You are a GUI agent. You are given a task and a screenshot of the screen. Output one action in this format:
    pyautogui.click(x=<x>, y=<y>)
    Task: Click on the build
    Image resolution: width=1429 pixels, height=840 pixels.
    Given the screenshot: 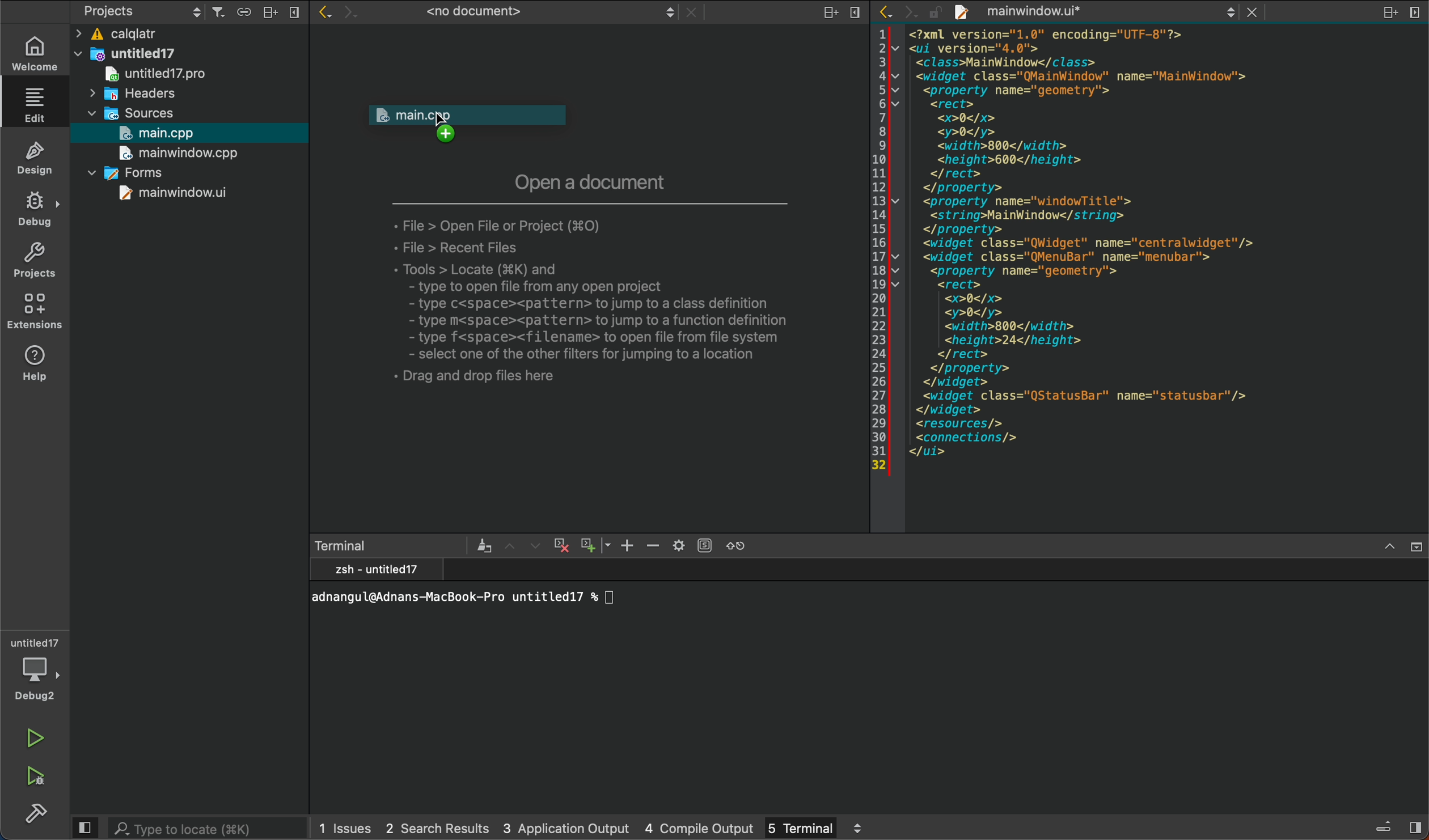 What is the action you would take?
    pyautogui.click(x=34, y=812)
    